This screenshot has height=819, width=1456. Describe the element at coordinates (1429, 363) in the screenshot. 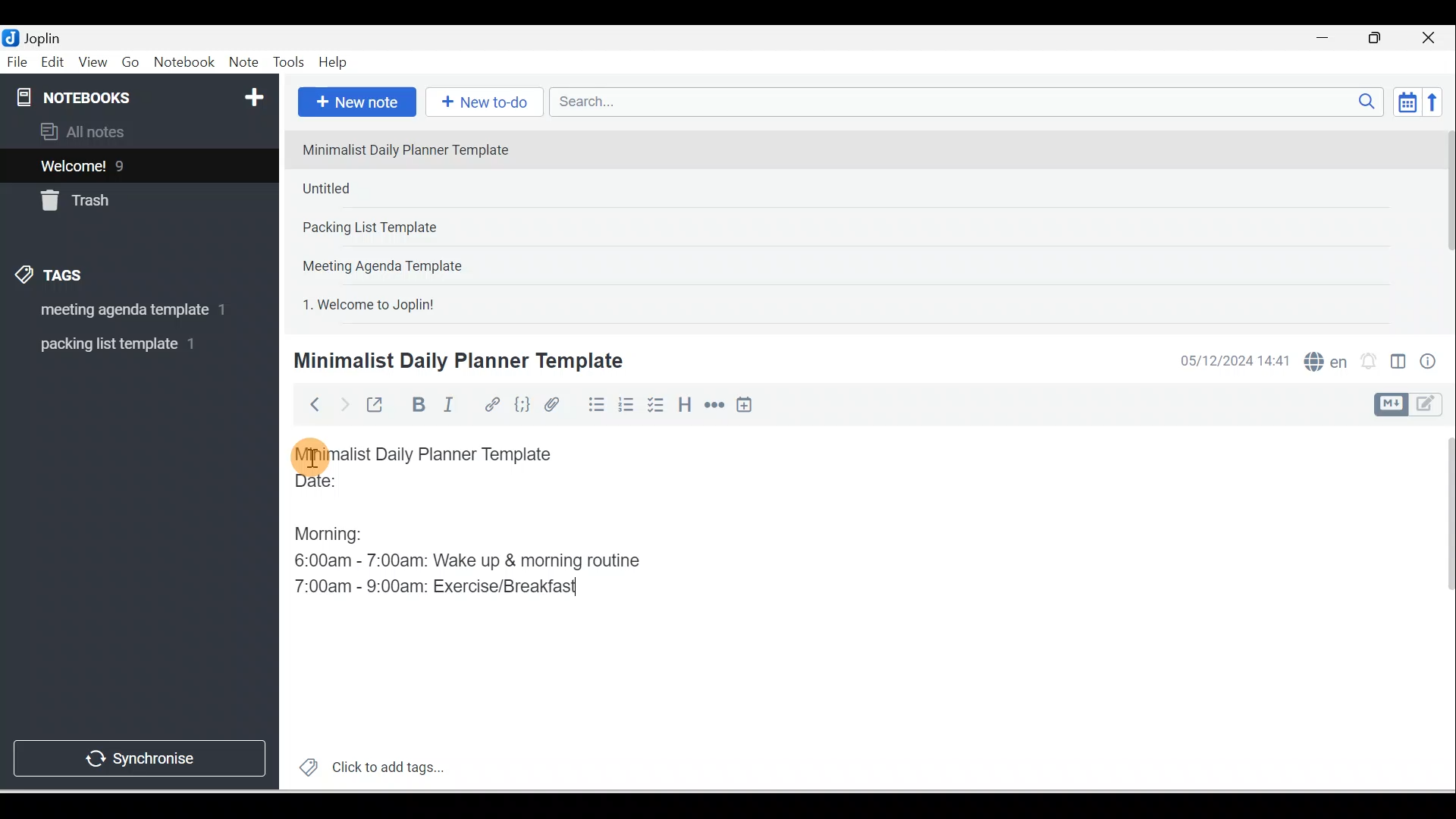

I see `Note properties` at that location.